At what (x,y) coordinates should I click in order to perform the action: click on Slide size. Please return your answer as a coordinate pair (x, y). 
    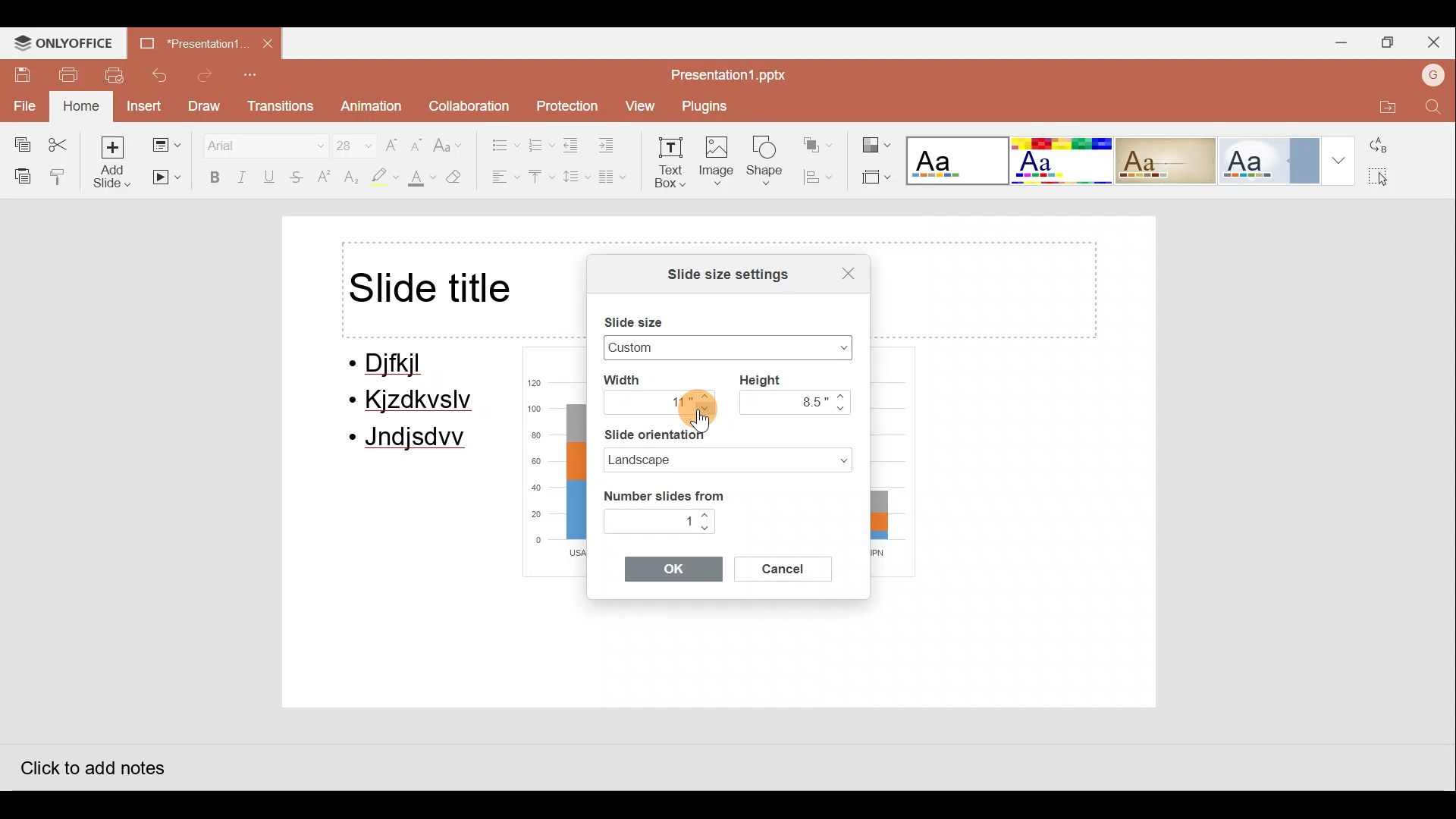
    Looking at the image, I should click on (645, 318).